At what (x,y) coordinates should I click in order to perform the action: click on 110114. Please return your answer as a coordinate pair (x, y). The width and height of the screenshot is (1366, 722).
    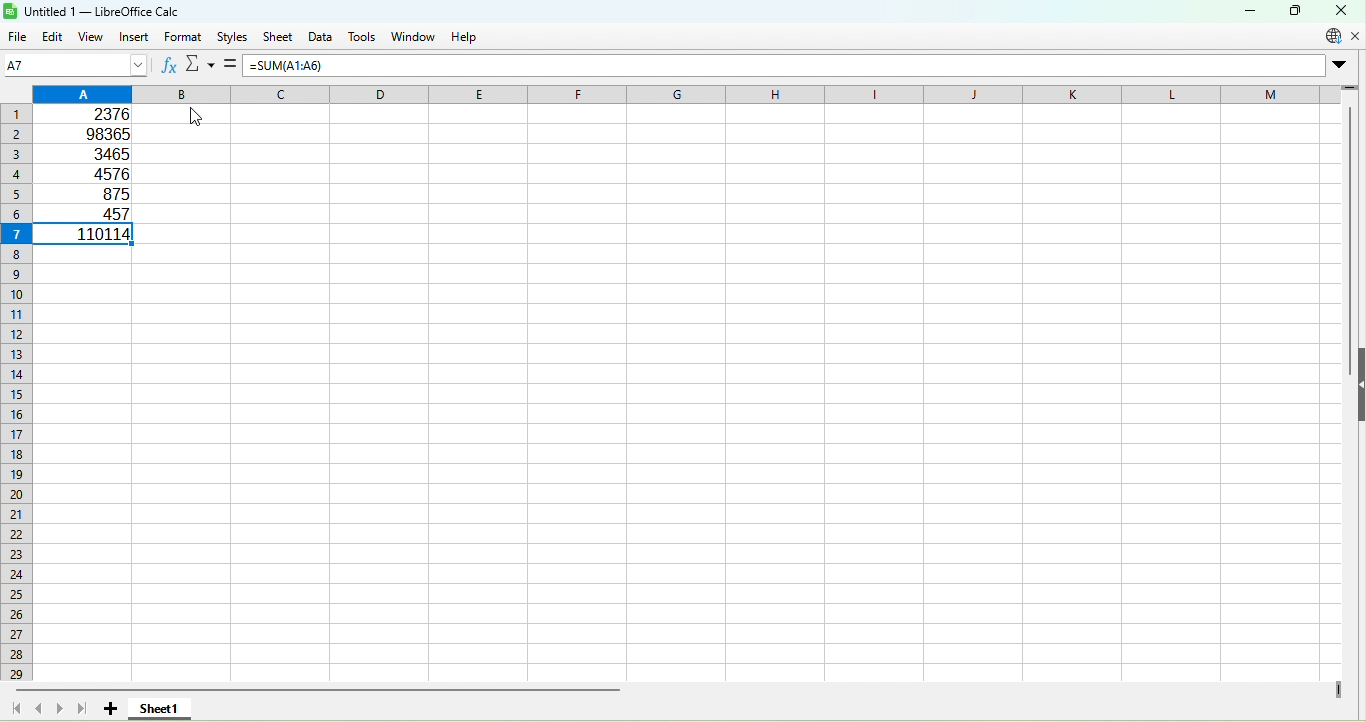
    Looking at the image, I should click on (87, 235).